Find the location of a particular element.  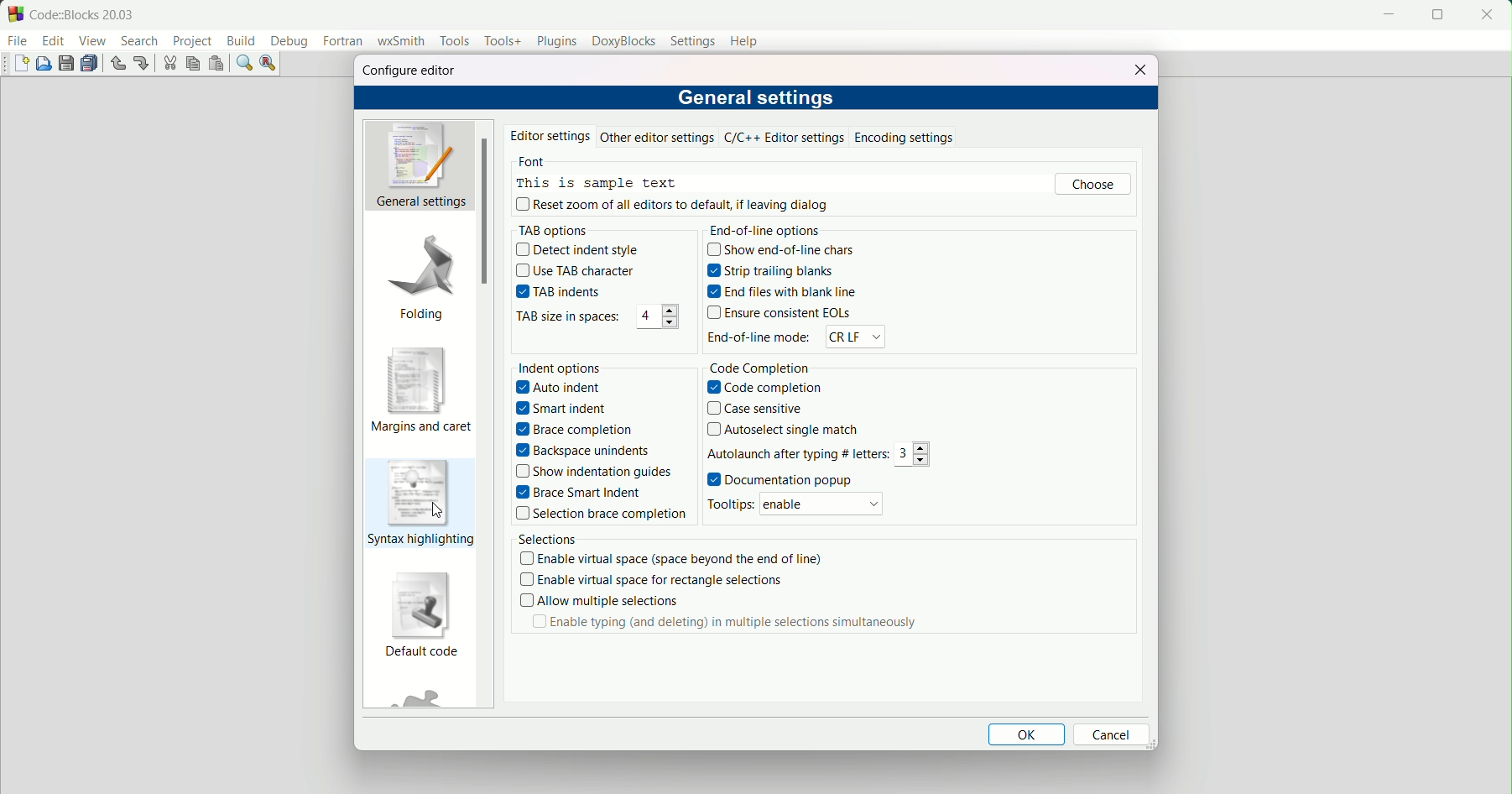

tooltips is located at coordinates (729, 504).